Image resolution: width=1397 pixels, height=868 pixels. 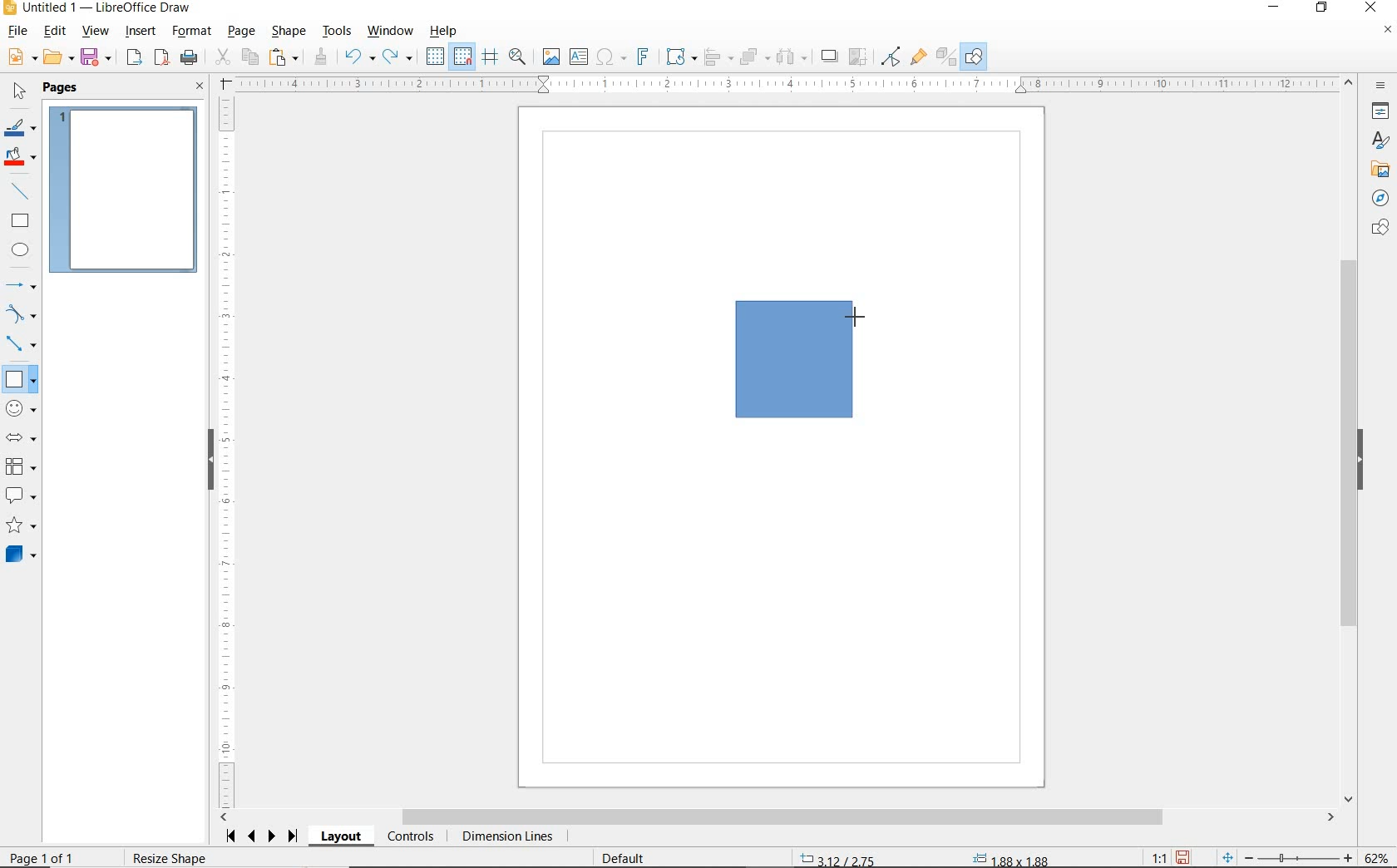 I want to click on ZOOM FACTOR, so click(x=1375, y=858).